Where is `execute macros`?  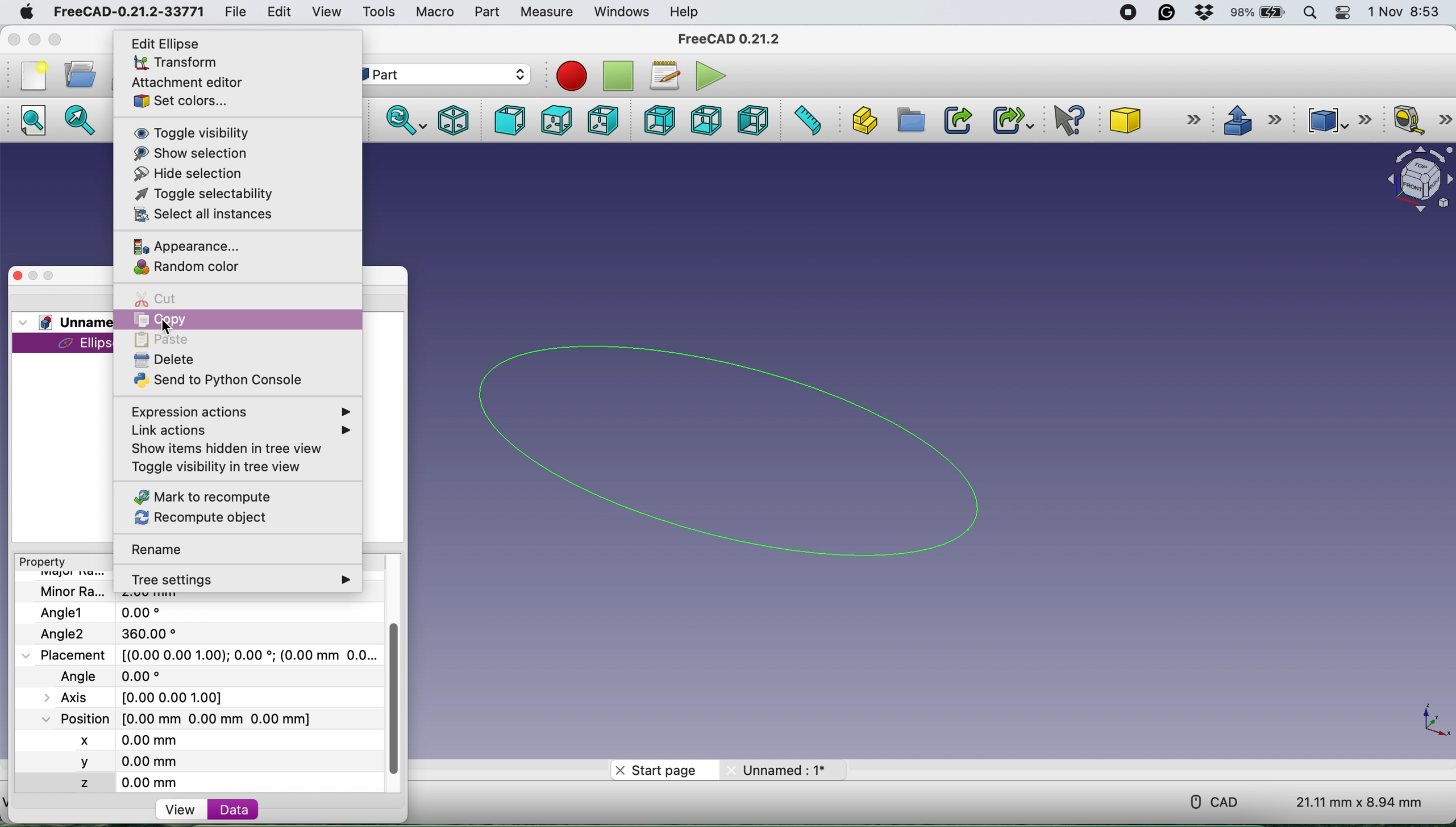
execute macros is located at coordinates (708, 76).